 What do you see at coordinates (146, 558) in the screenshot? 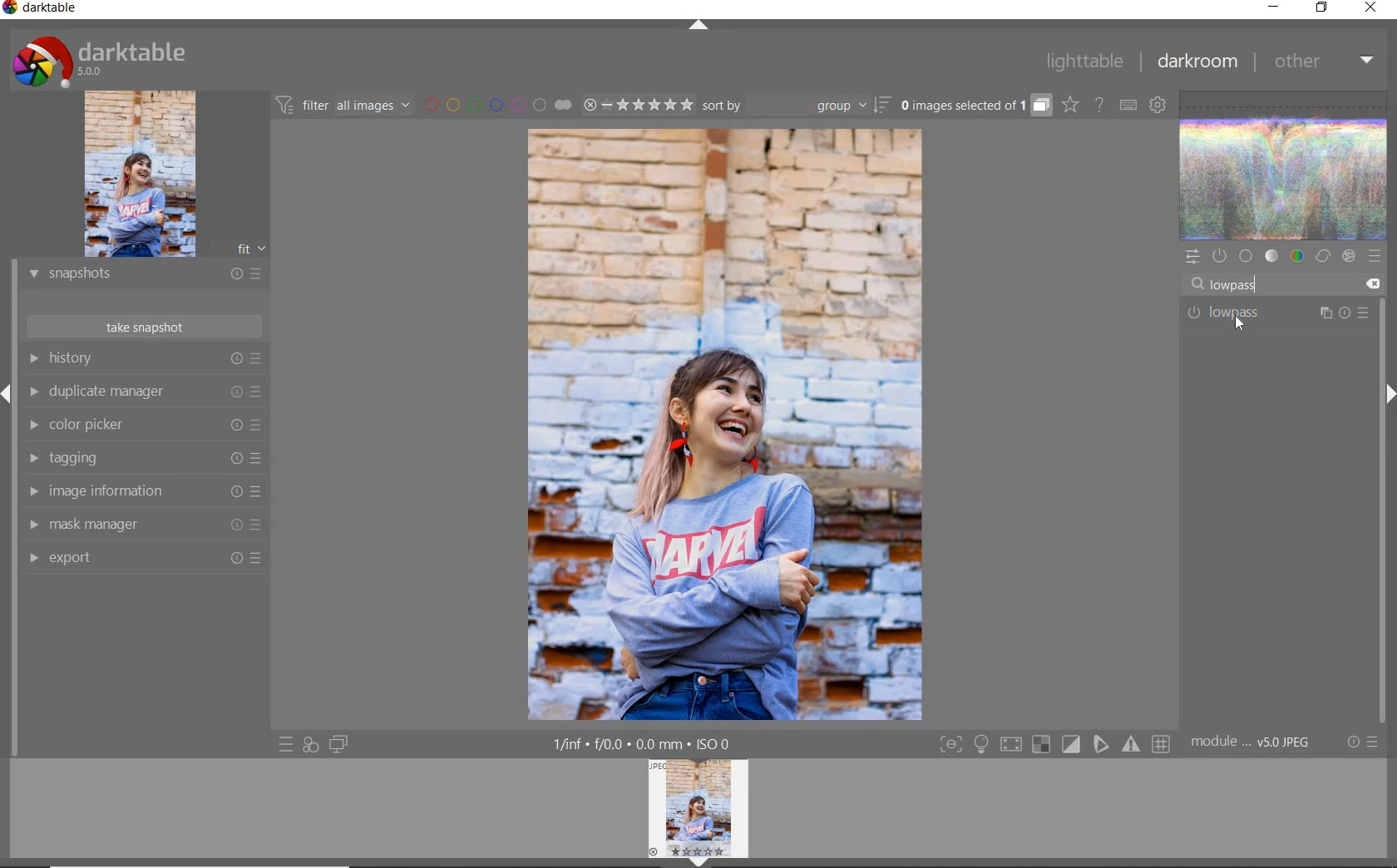
I see `export` at bounding box center [146, 558].